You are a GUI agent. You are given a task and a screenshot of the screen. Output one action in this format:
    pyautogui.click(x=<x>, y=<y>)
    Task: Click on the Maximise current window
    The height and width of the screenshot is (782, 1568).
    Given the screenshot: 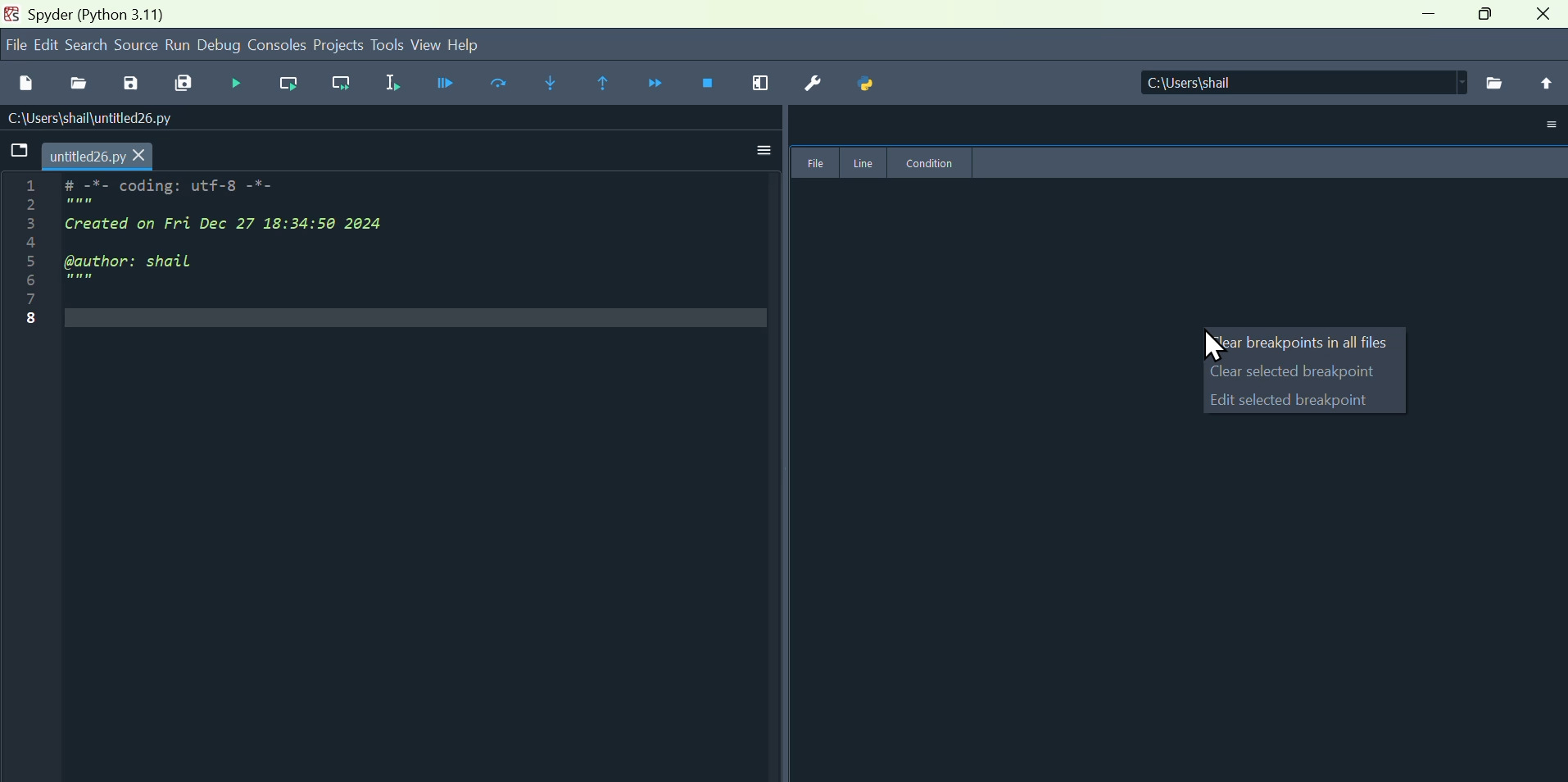 What is the action you would take?
    pyautogui.click(x=769, y=84)
    